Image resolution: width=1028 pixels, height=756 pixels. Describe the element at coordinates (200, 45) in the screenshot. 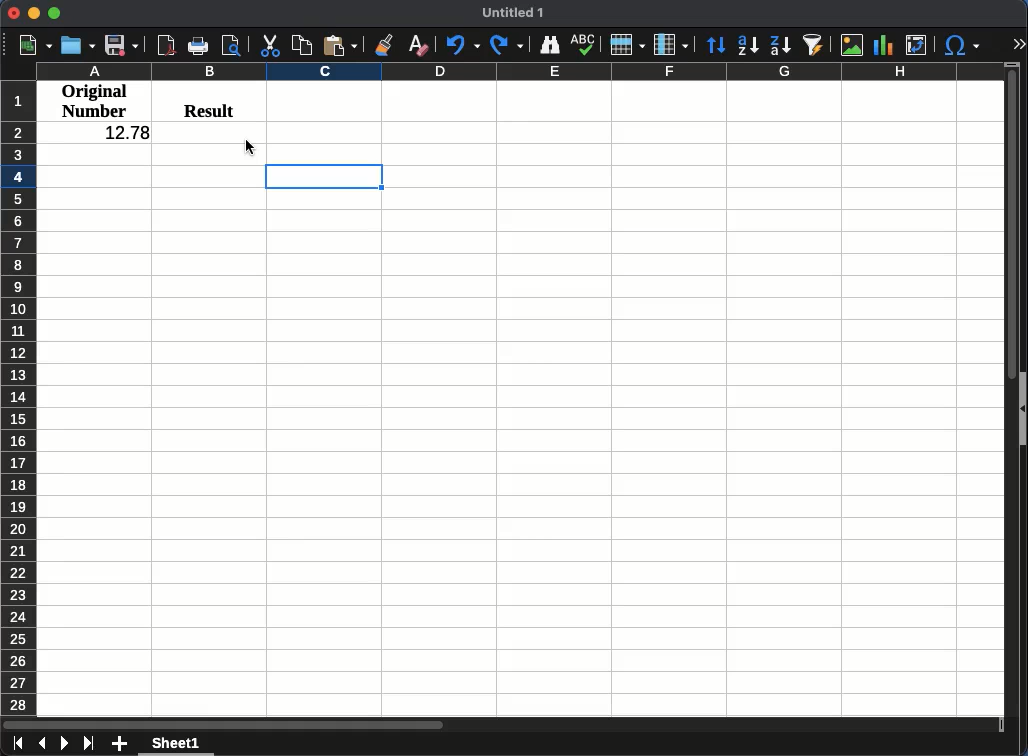

I see `print` at that location.